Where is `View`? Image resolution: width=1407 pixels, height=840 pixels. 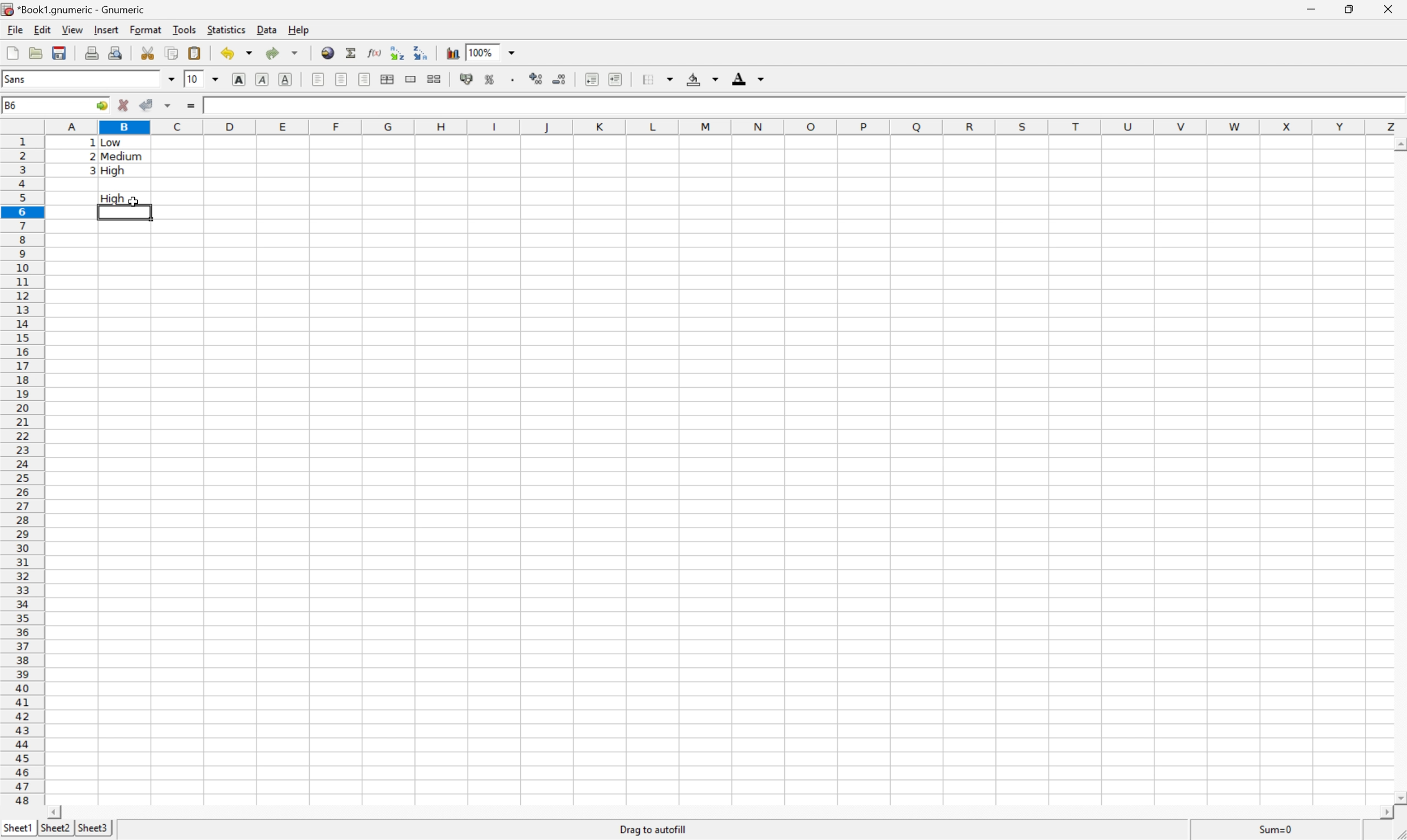 View is located at coordinates (70, 28).